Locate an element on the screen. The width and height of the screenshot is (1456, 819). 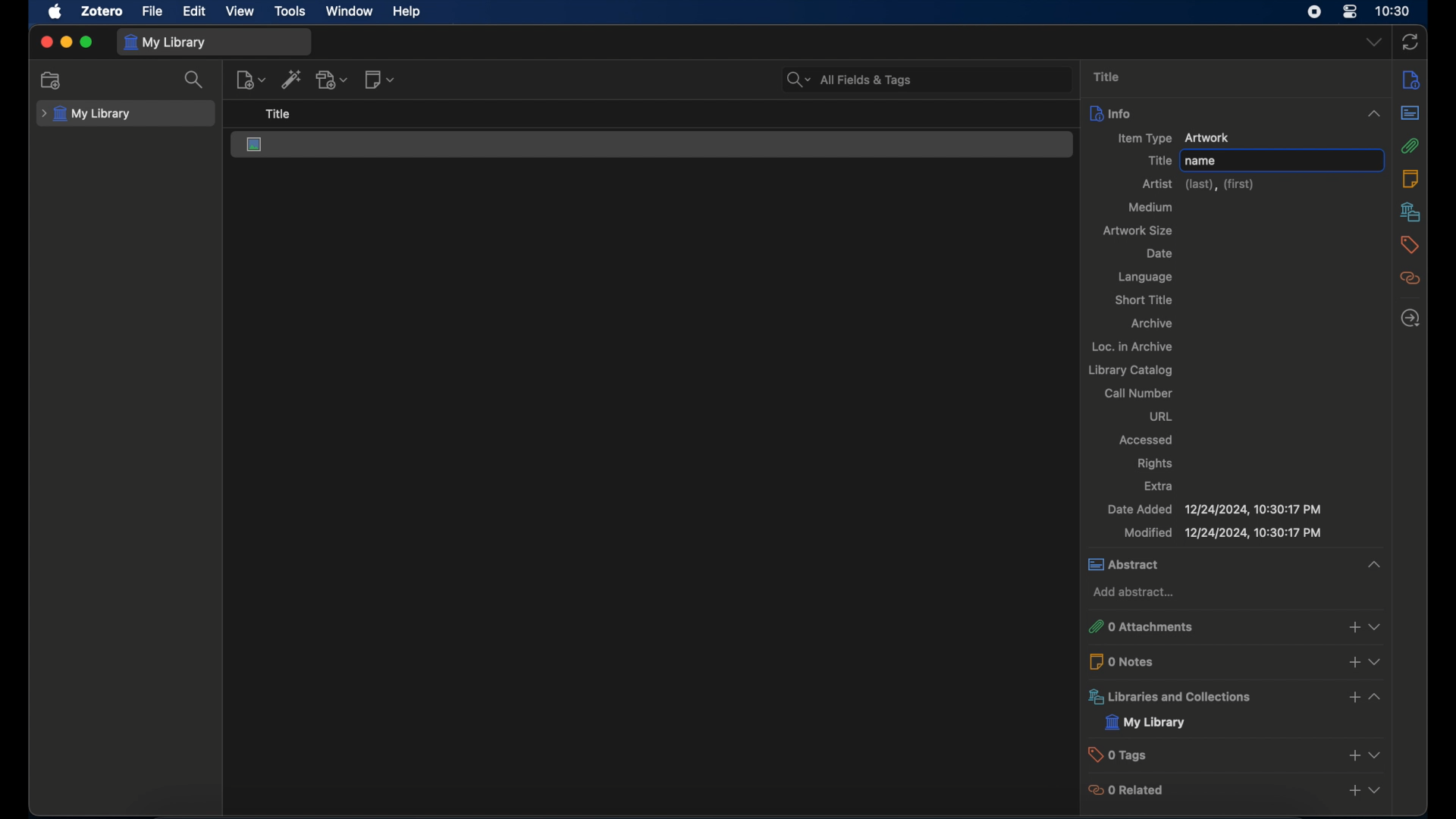
close is located at coordinates (47, 42).